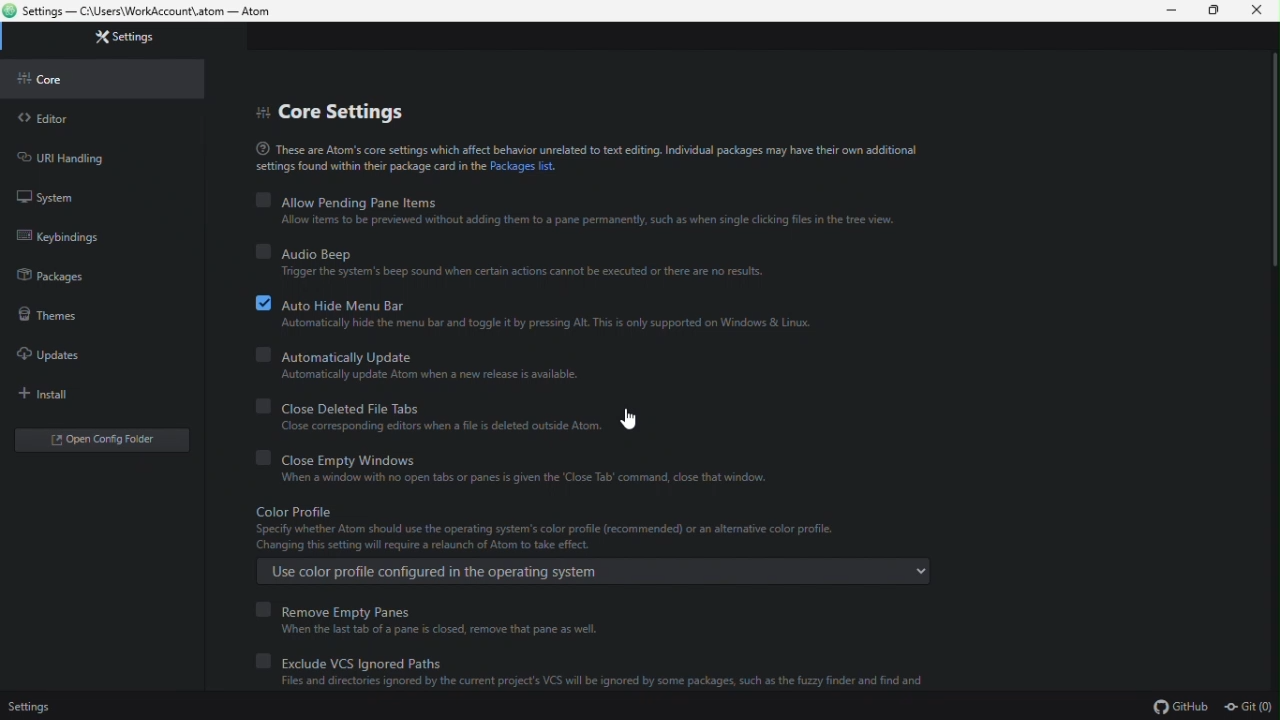 The width and height of the screenshot is (1280, 720). What do you see at coordinates (344, 609) in the screenshot?
I see `remove empty panes` at bounding box center [344, 609].